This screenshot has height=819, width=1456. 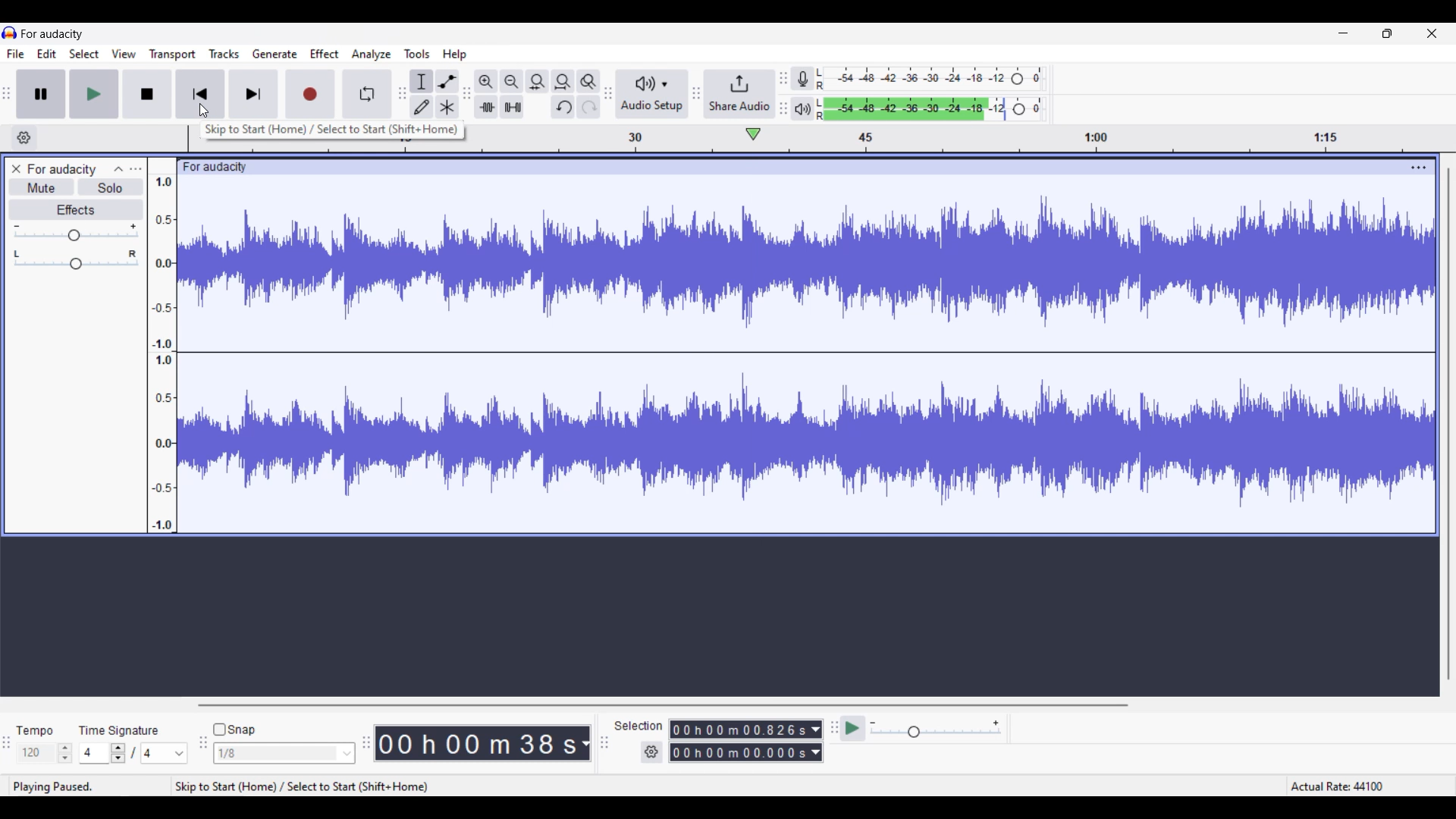 I want to click on Undo, so click(x=563, y=107).